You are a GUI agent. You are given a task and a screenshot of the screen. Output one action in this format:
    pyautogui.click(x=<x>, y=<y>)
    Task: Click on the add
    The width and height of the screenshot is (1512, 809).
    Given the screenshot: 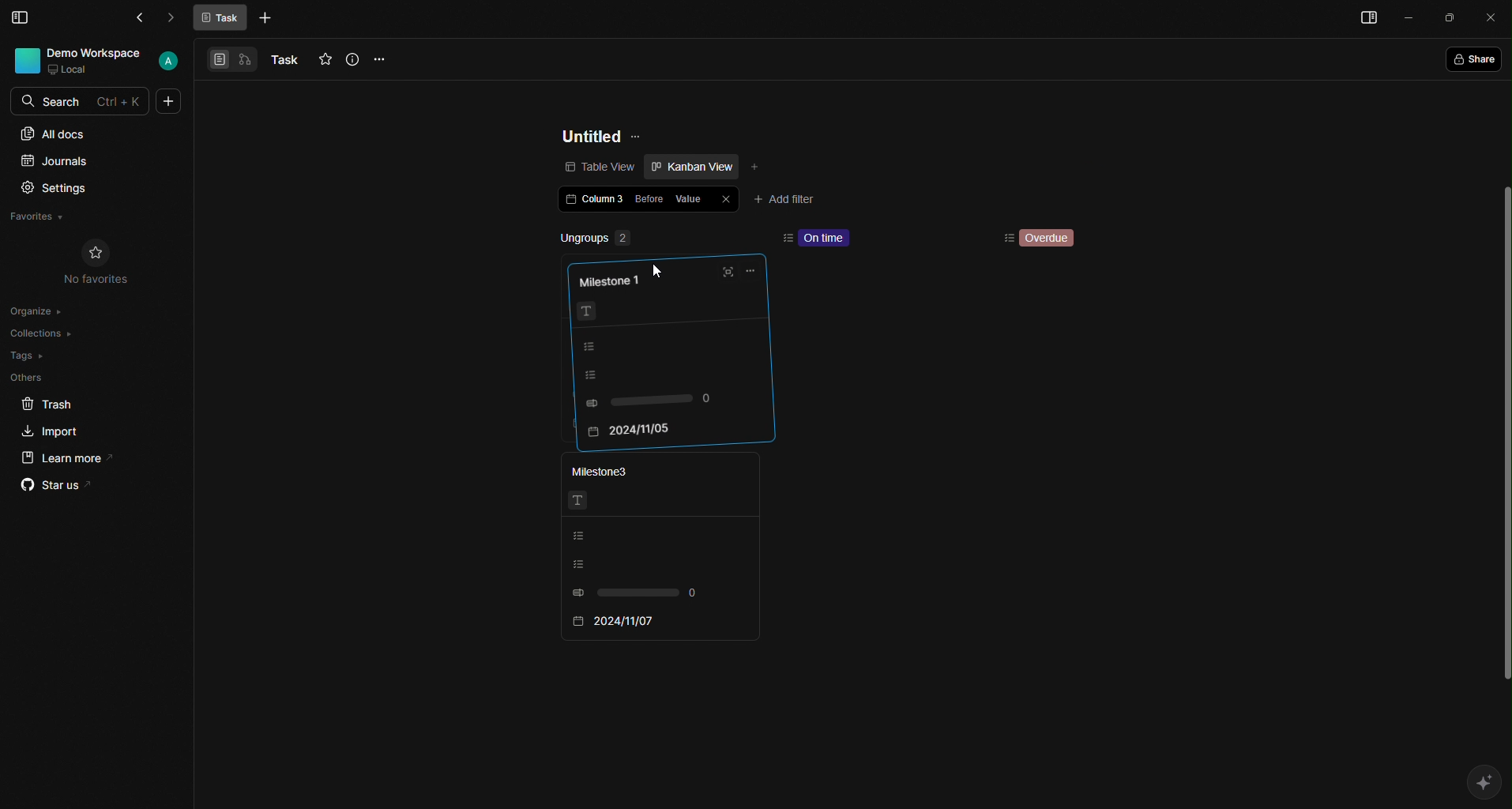 What is the action you would take?
    pyautogui.click(x=731, y=236)
    